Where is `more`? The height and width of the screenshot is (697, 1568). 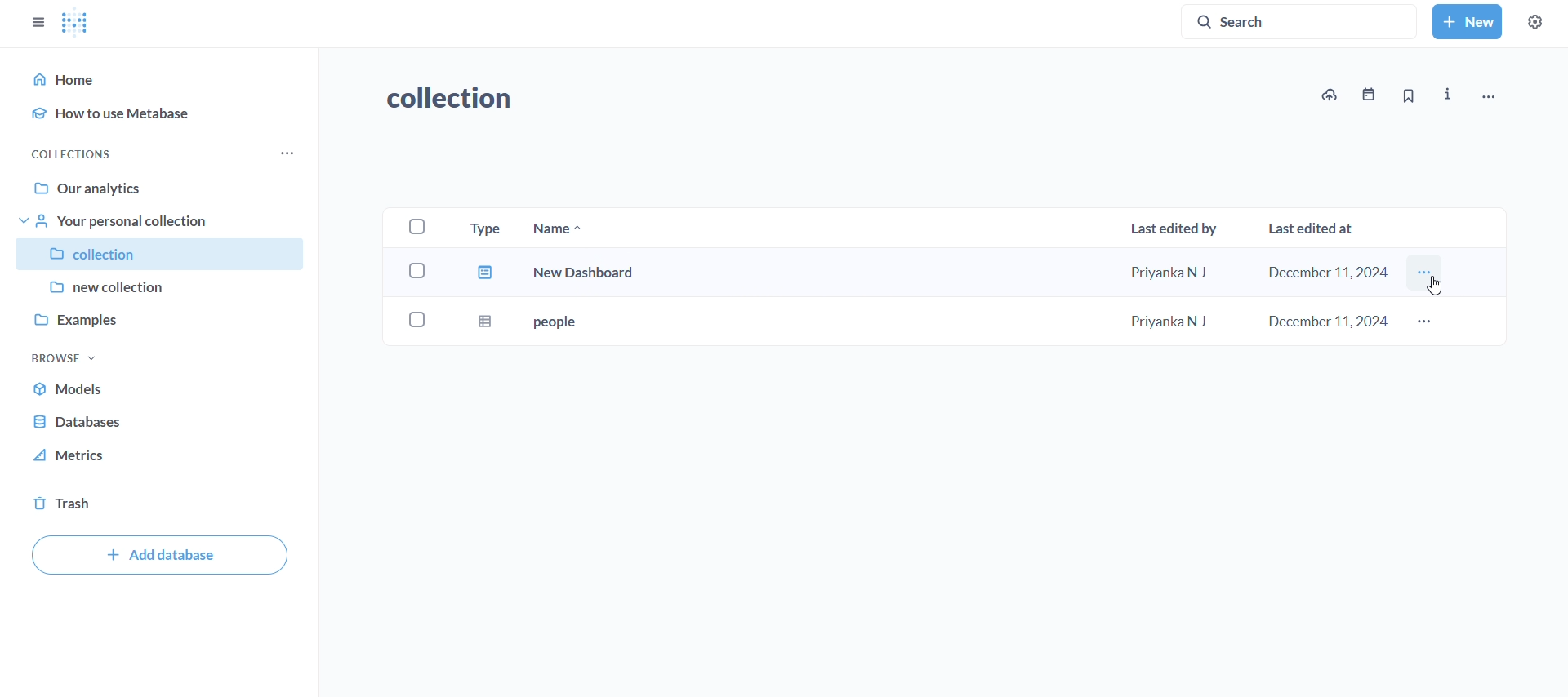 more is located at coordinates (289, 153).